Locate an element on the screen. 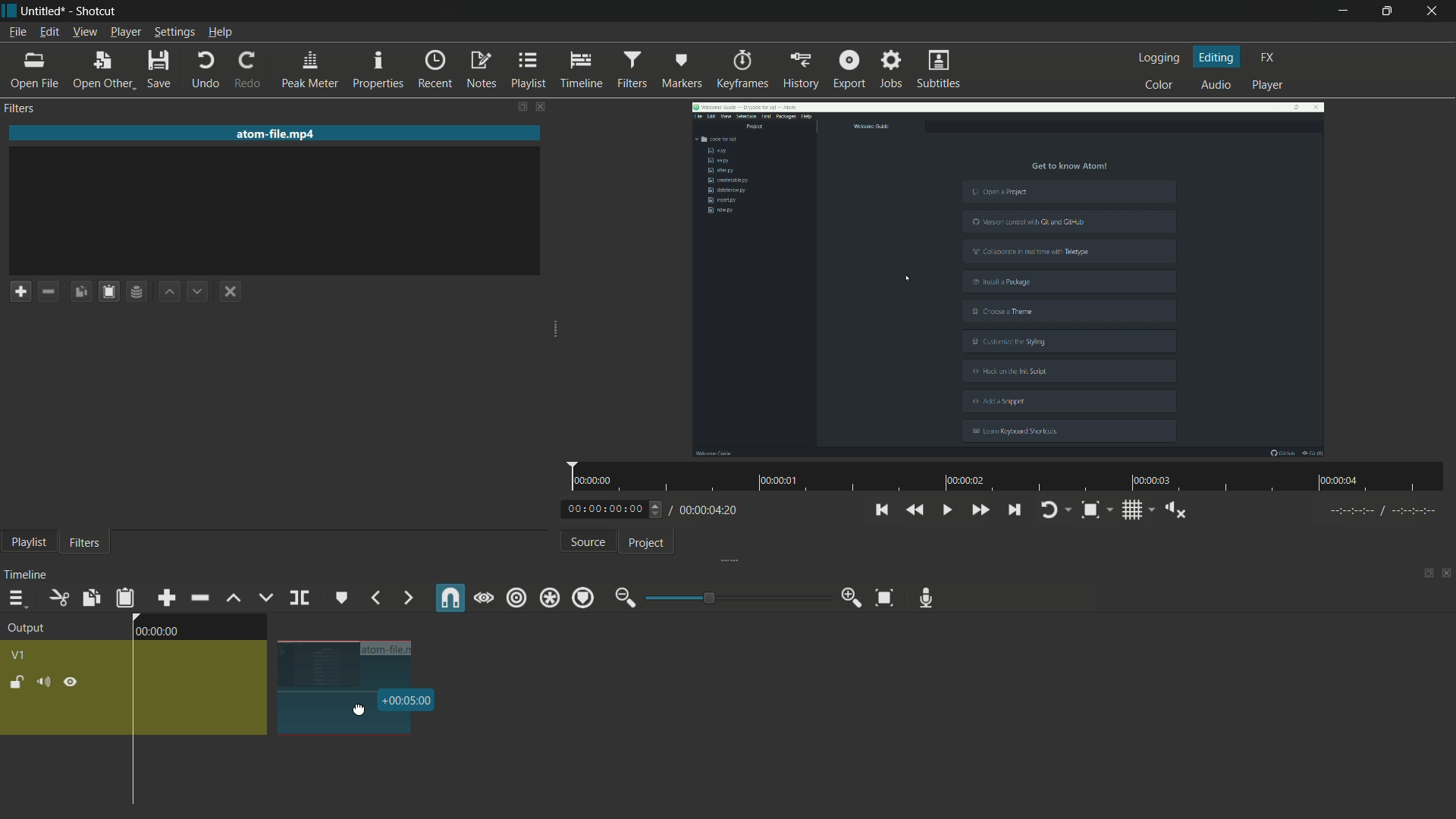 Image resolution: width=1456 pixels, height=819 pixels. zoom adjustment bar is located at coordinates (735, 597).